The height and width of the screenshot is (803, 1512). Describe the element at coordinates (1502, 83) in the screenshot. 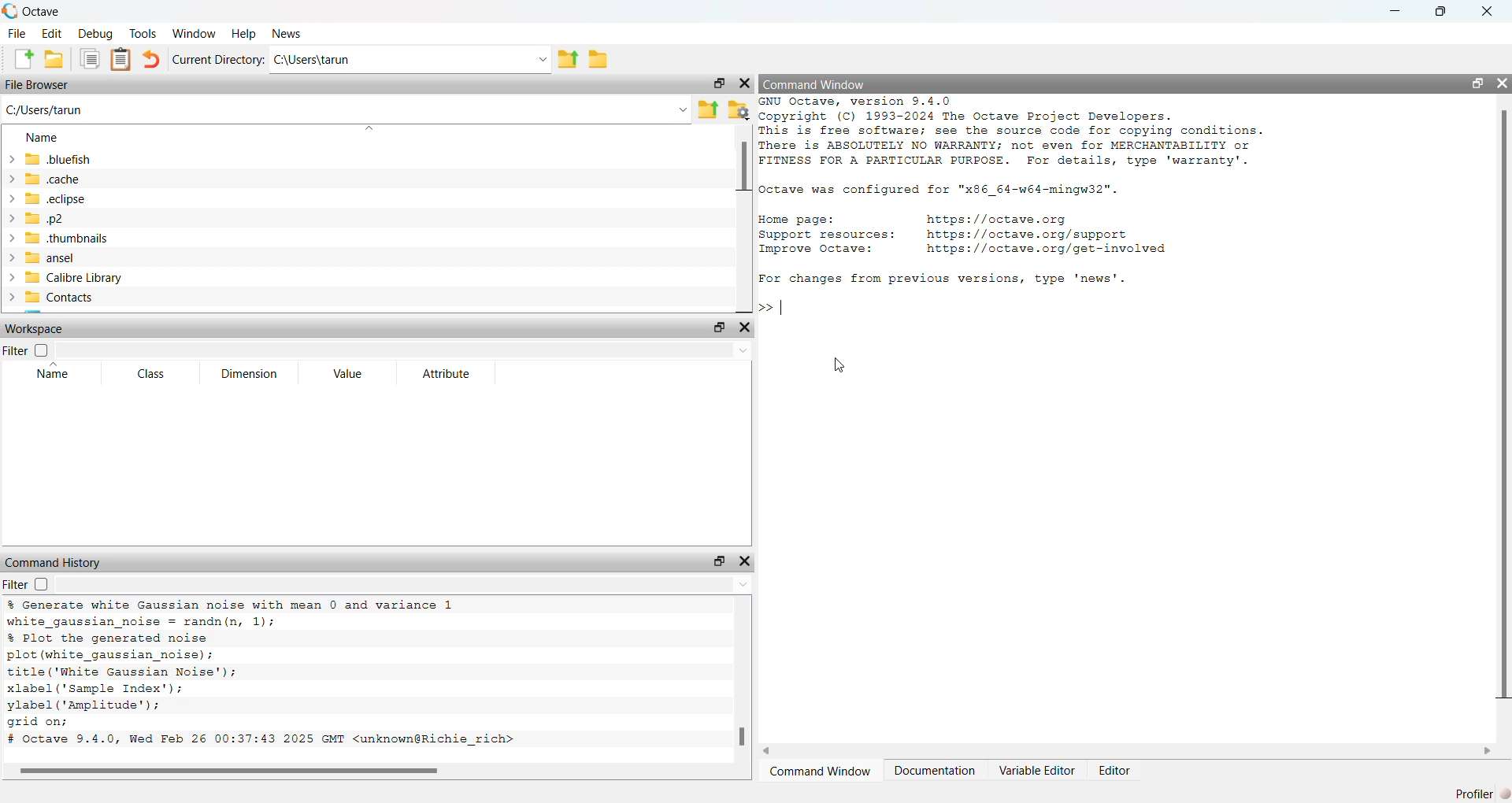

I see `close` at that location.